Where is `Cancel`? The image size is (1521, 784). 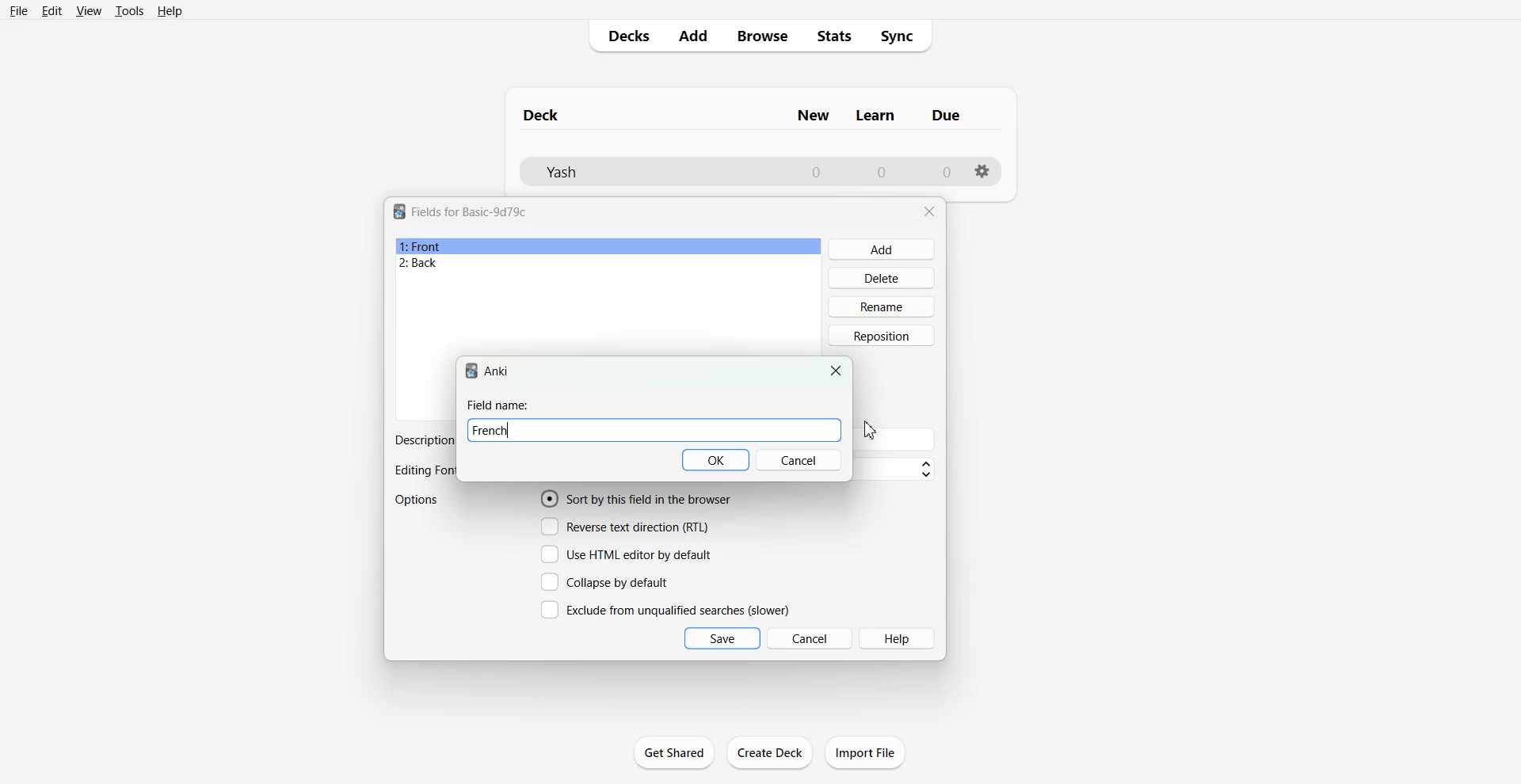
Cancel is located at coordinates (810, 637).